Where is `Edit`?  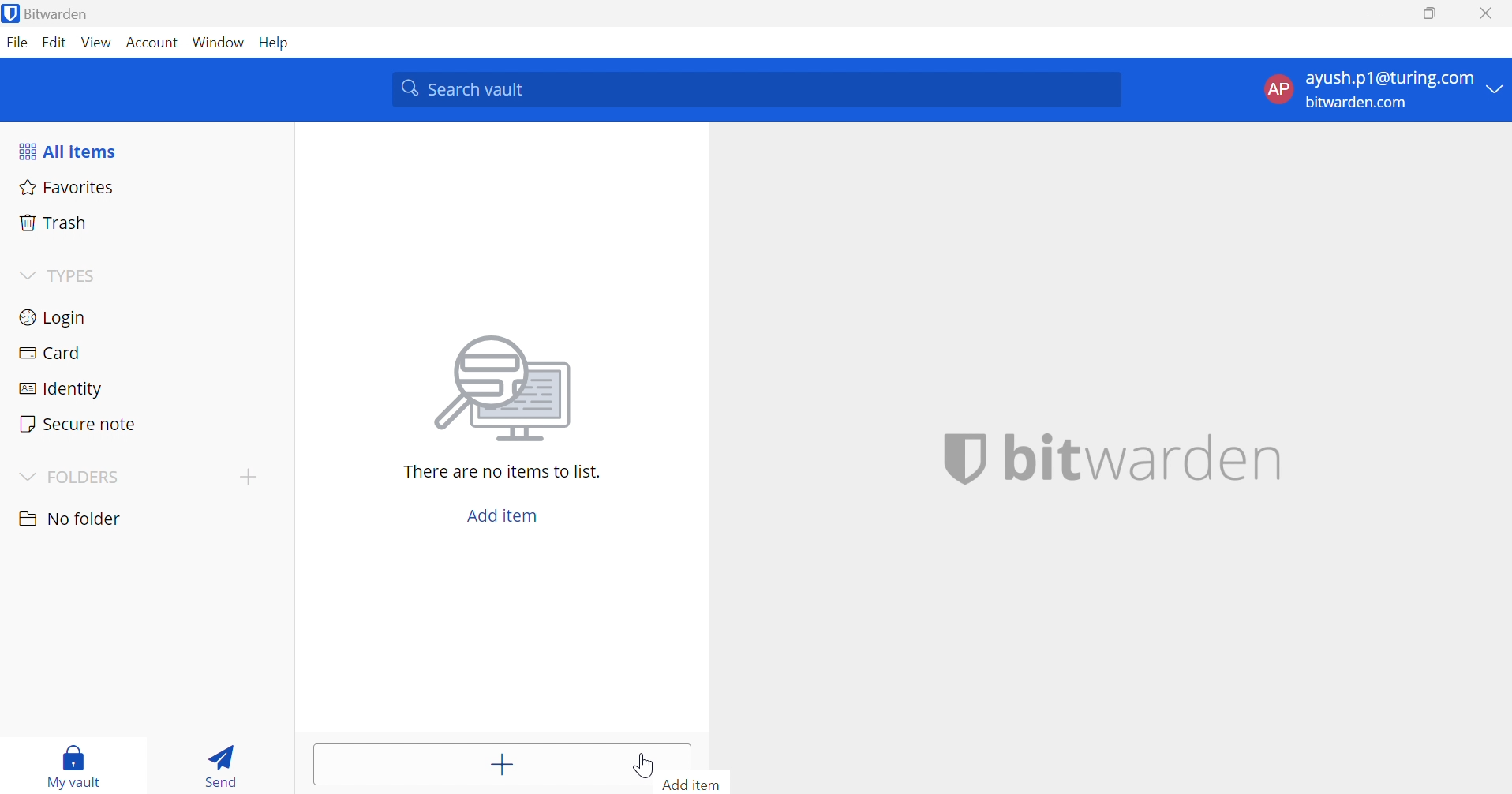 Edit is located at coordinates (54, 41).